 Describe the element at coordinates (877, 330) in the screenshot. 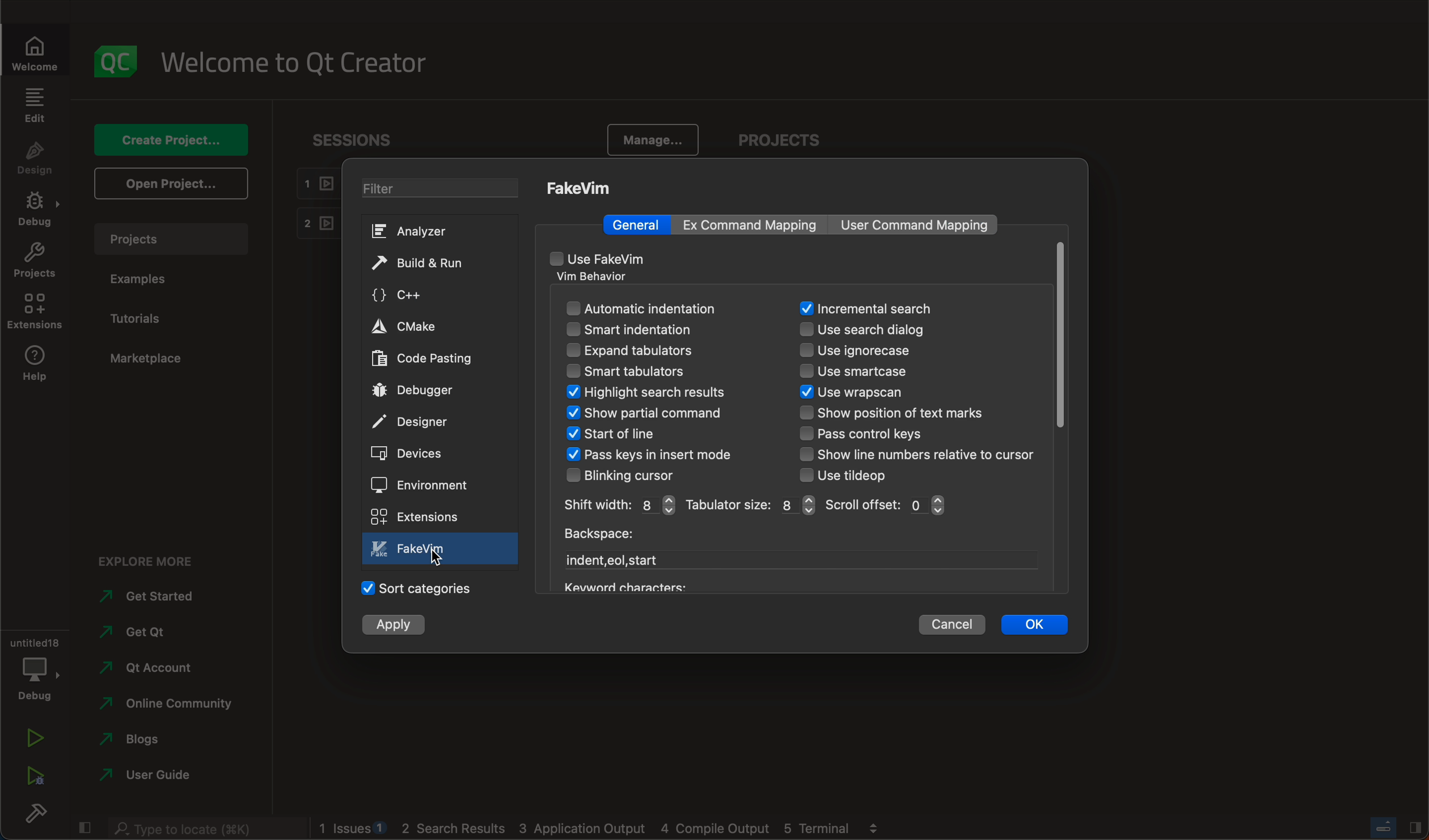

I see `search dialog` at that location.